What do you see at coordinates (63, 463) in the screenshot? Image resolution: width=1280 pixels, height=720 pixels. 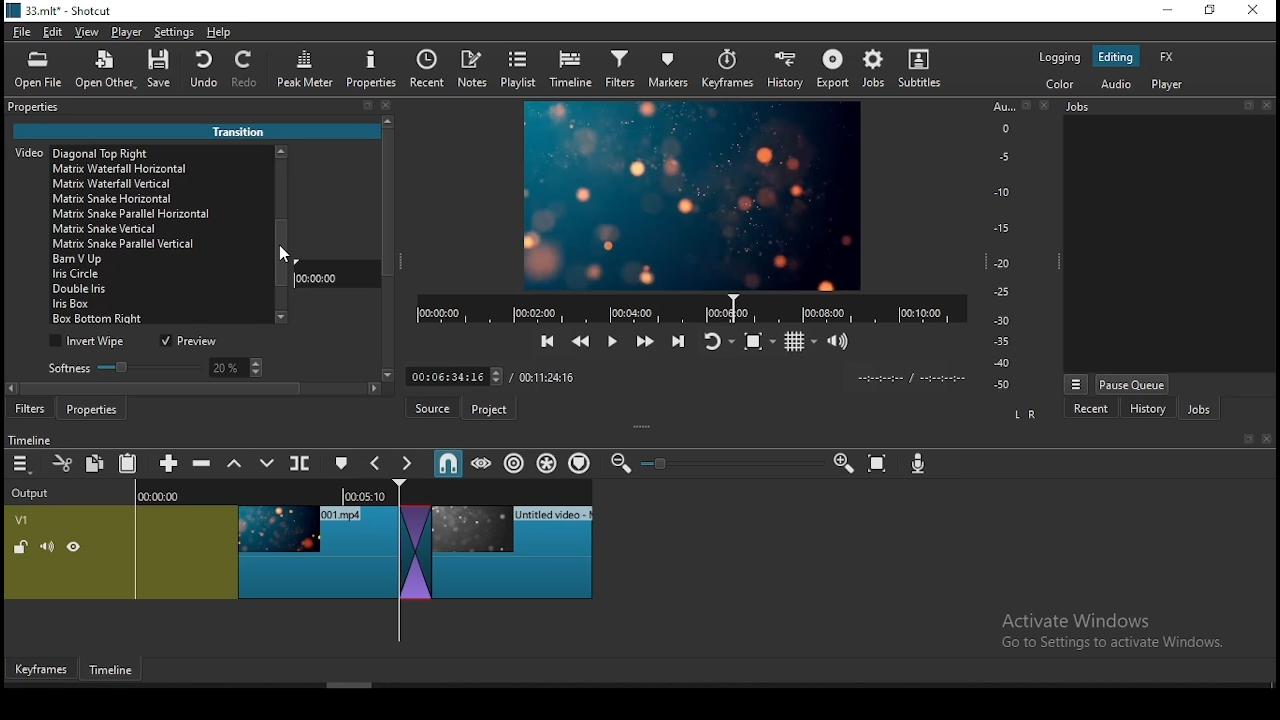 I see `cut` at bounding box center [63, 463].